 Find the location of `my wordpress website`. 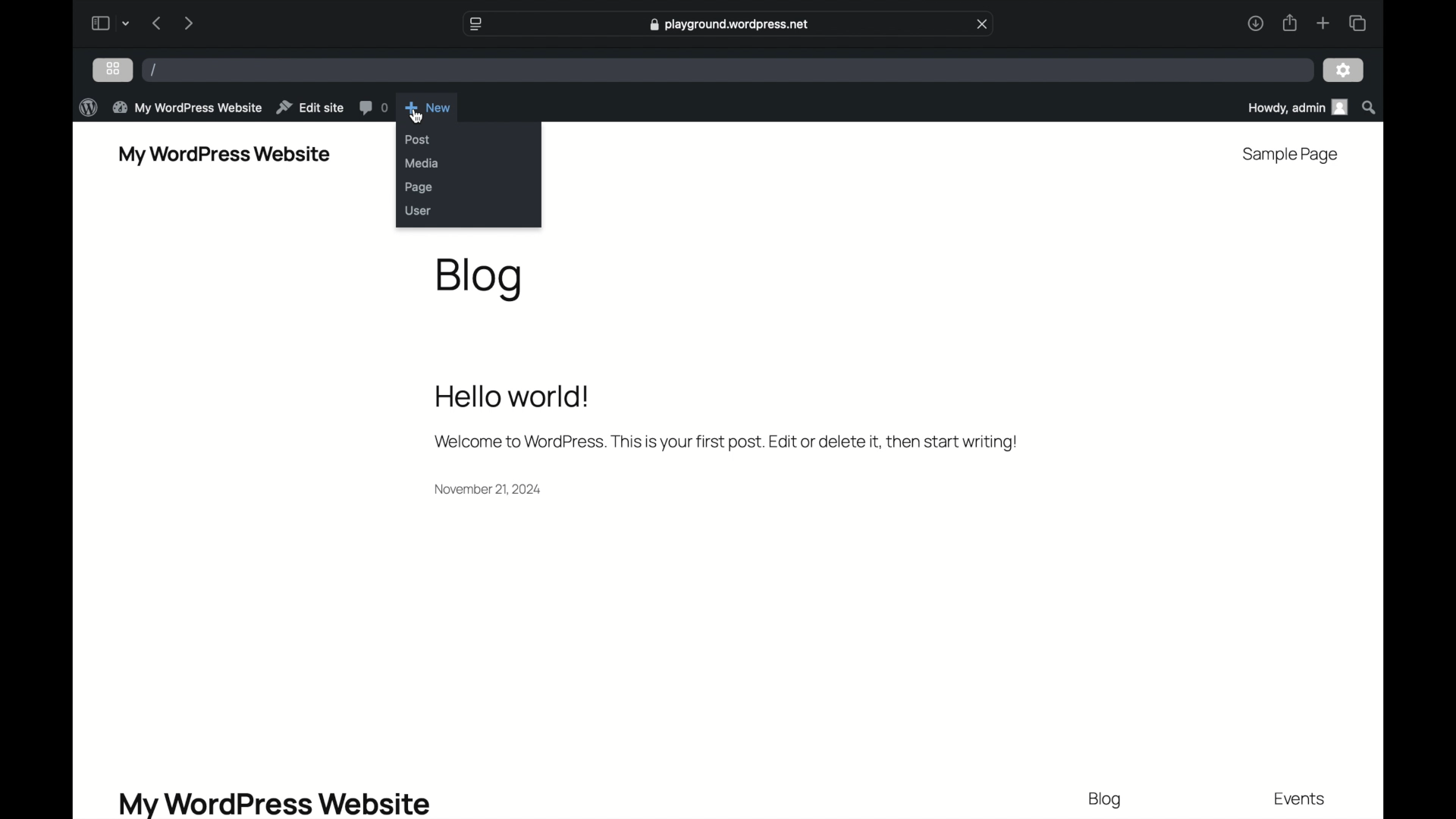

my wordpress website is located at coordinates (224, 155).